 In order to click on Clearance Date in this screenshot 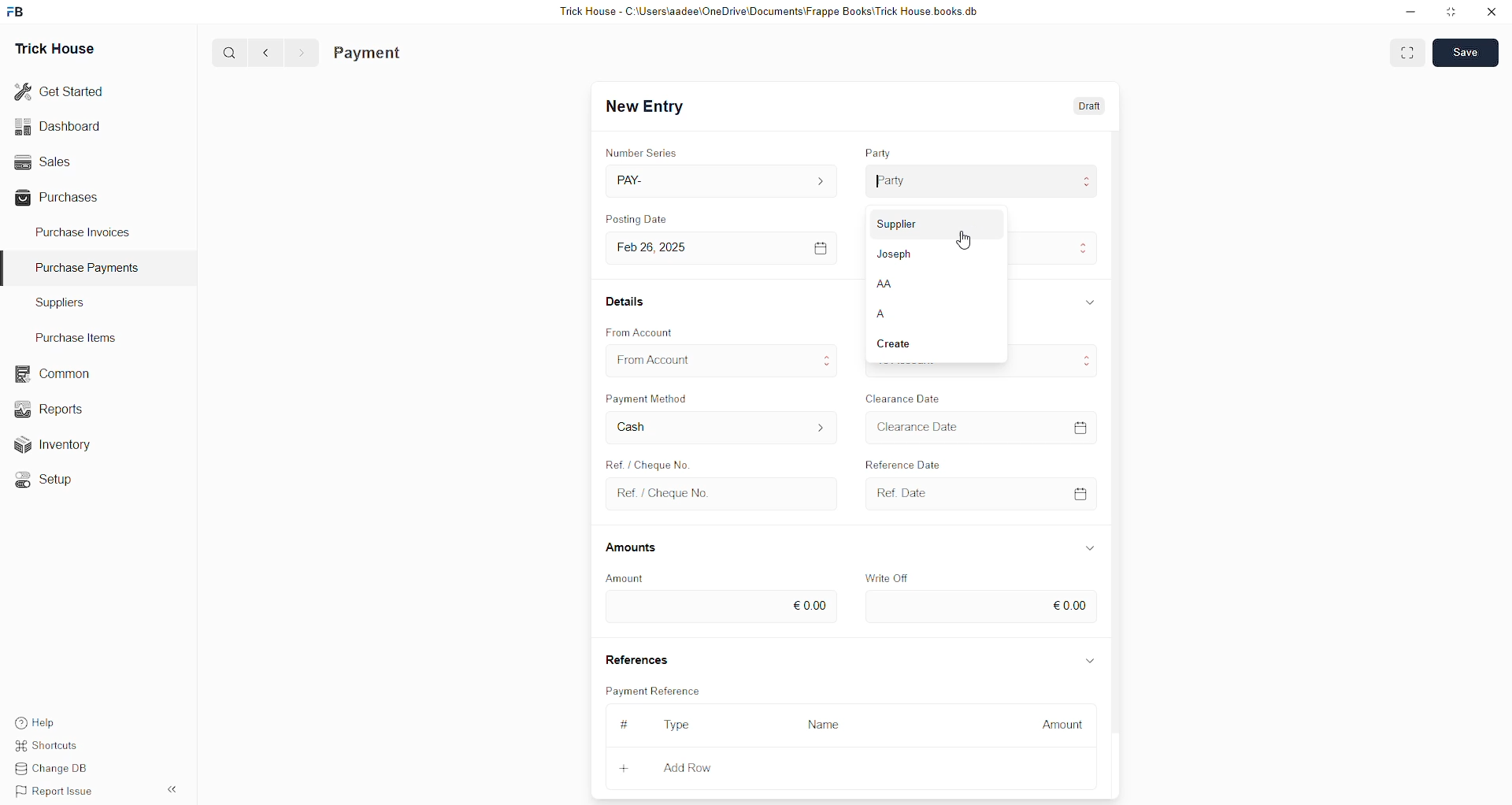, I will do `click(905, 397)`.